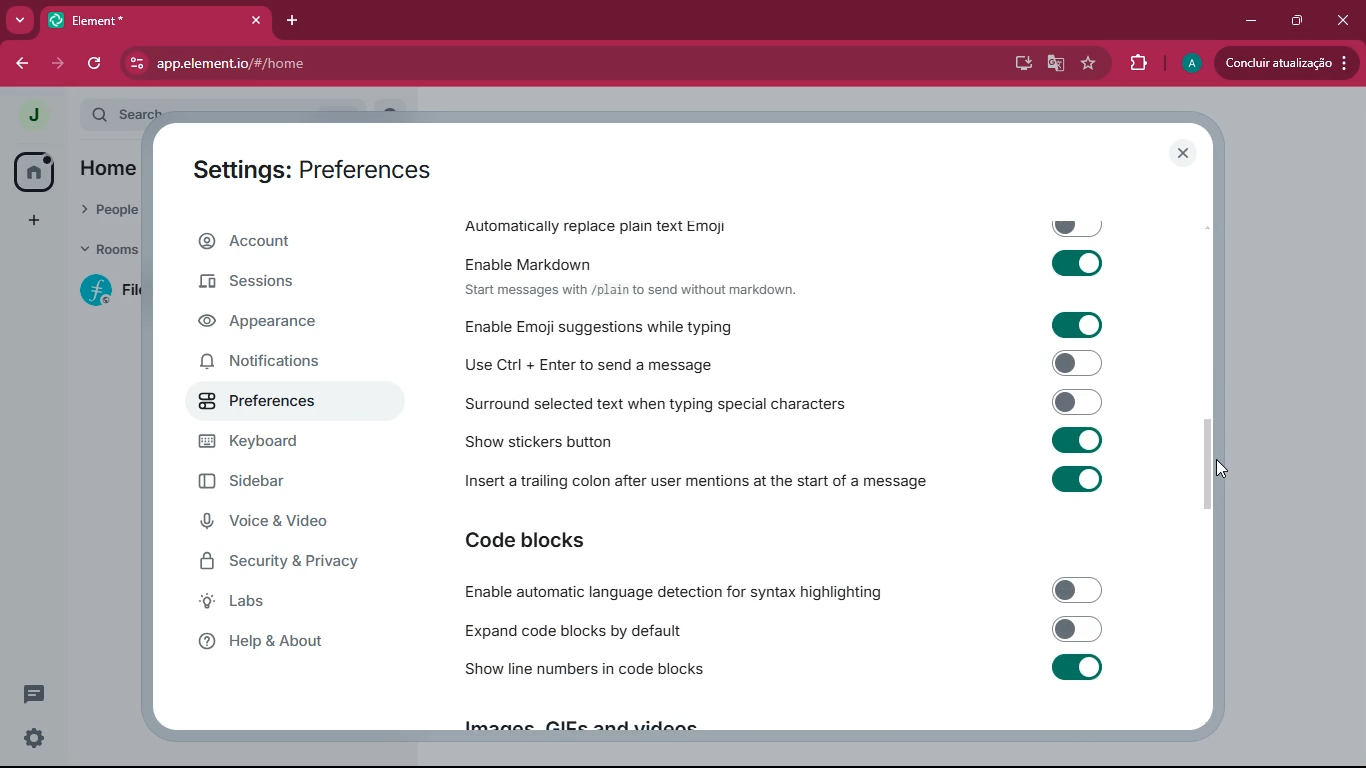 The height and width of the screenshot is (768, 1366). I want to click on maximize, so click(1293, 22).